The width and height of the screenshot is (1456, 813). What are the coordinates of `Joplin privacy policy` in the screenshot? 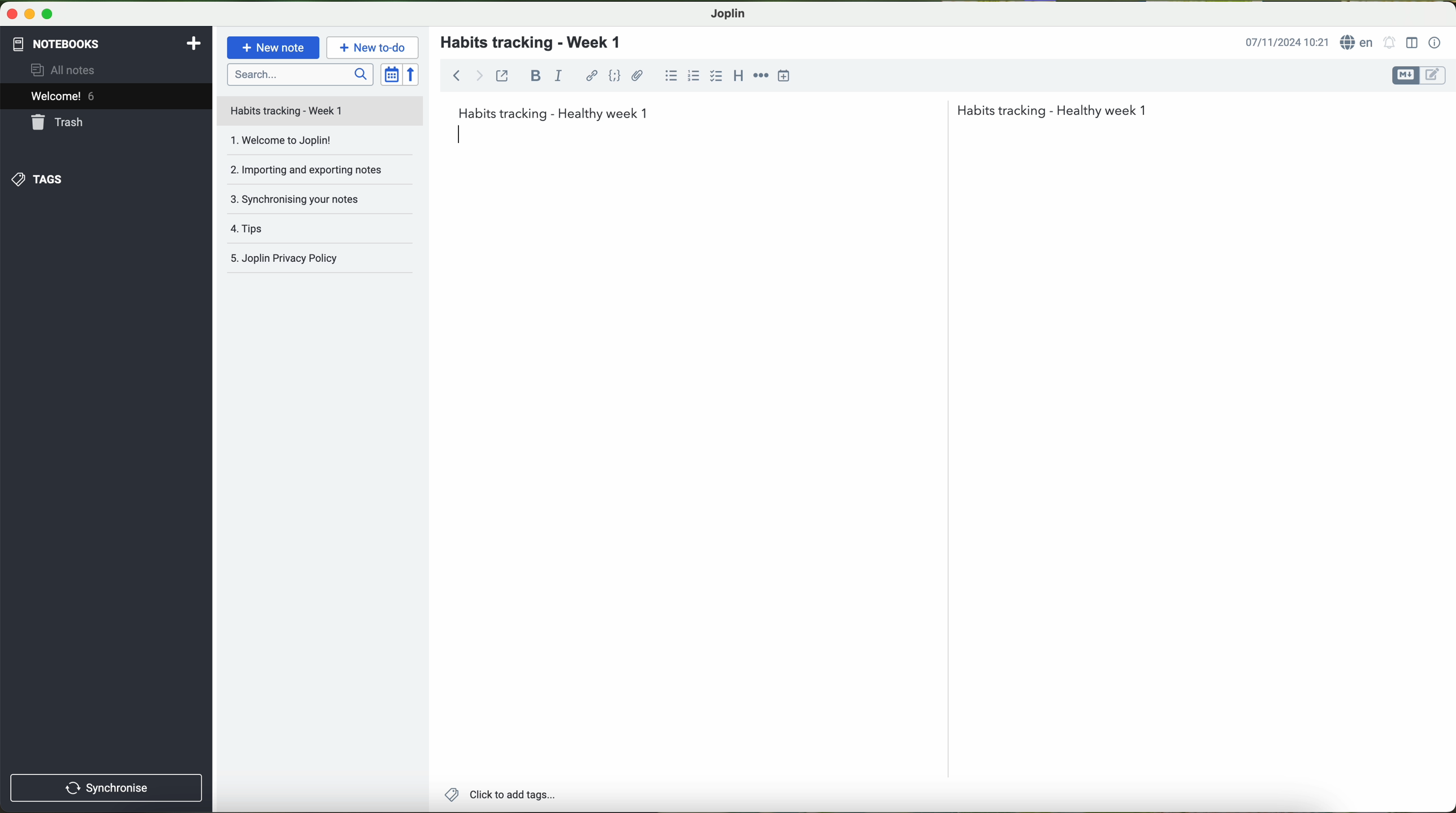 It's located at (321, 260).